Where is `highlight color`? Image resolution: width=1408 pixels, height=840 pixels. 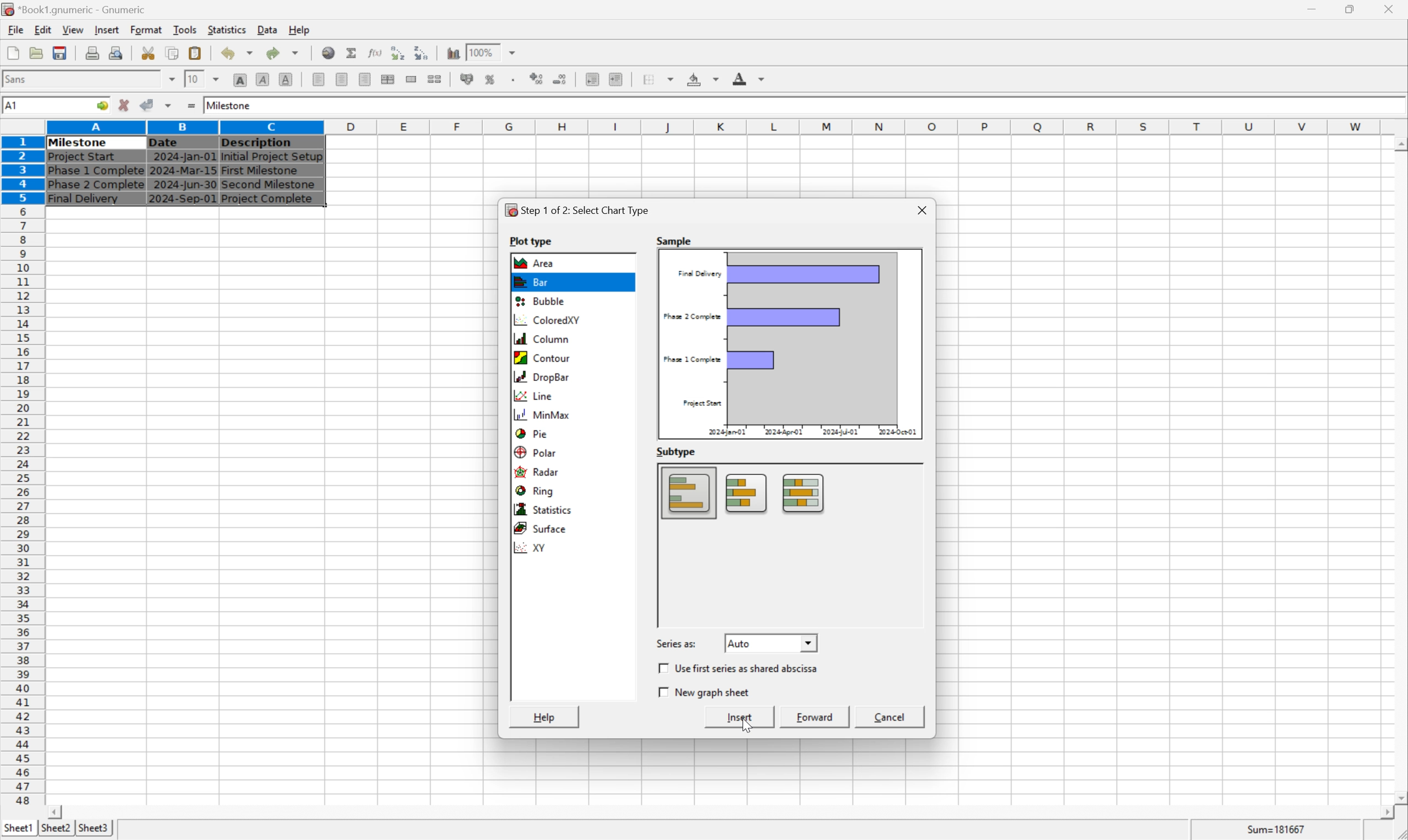
highlight color is located at coordinates (700, 77).